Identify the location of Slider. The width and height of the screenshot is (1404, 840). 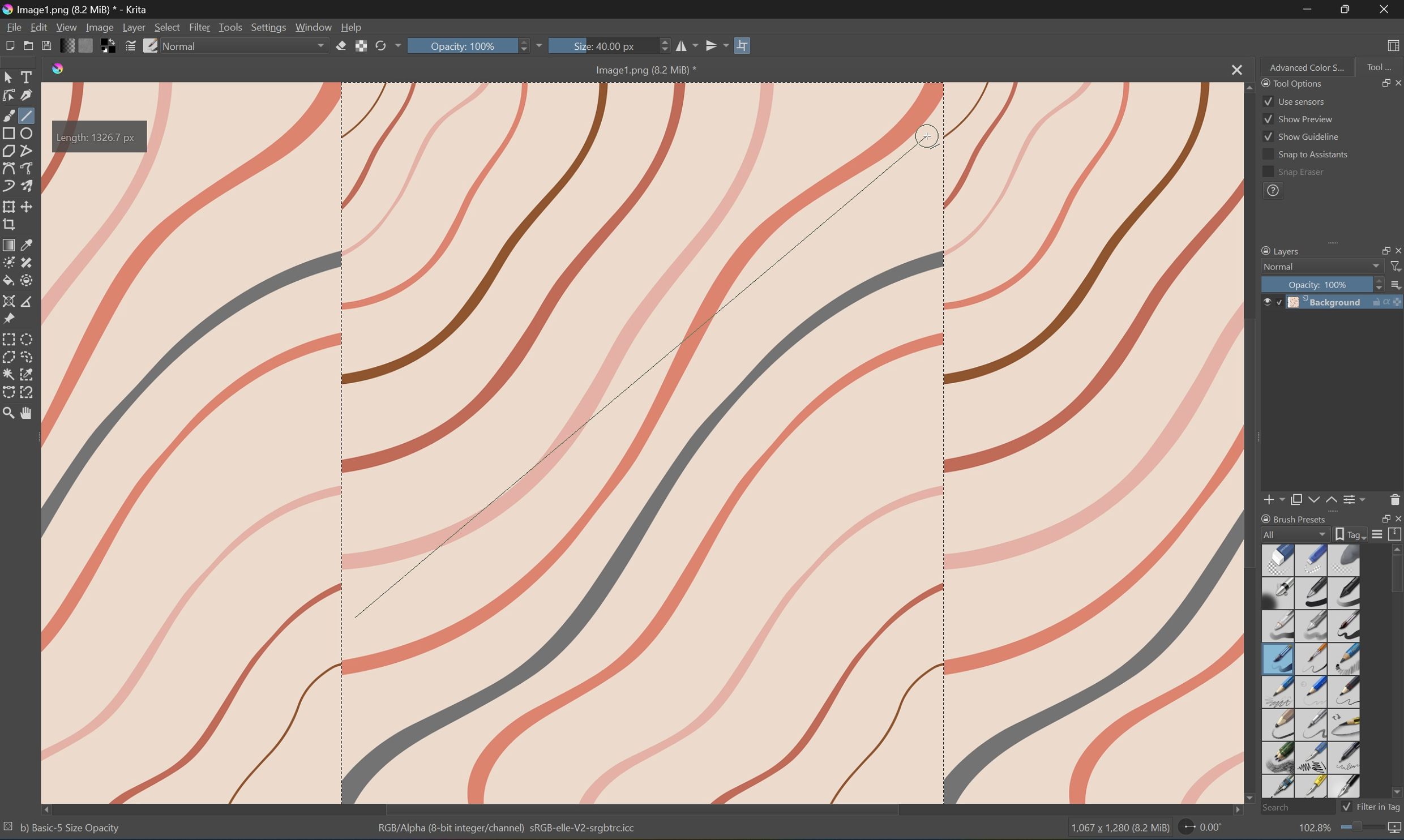
(1362, 827).